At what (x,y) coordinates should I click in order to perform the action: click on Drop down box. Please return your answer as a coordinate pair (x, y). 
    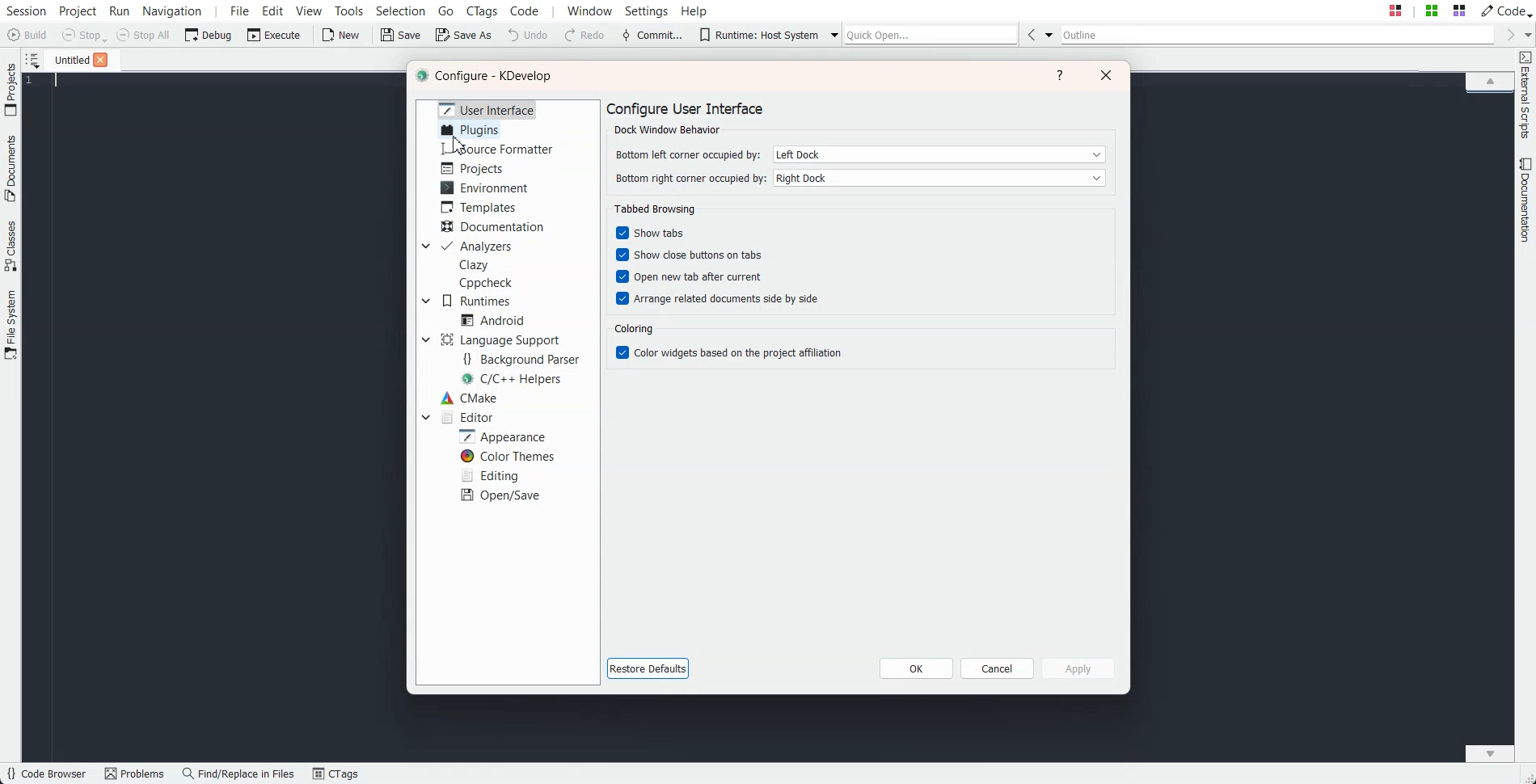
    Looking at the image, I should click on (830, 34).